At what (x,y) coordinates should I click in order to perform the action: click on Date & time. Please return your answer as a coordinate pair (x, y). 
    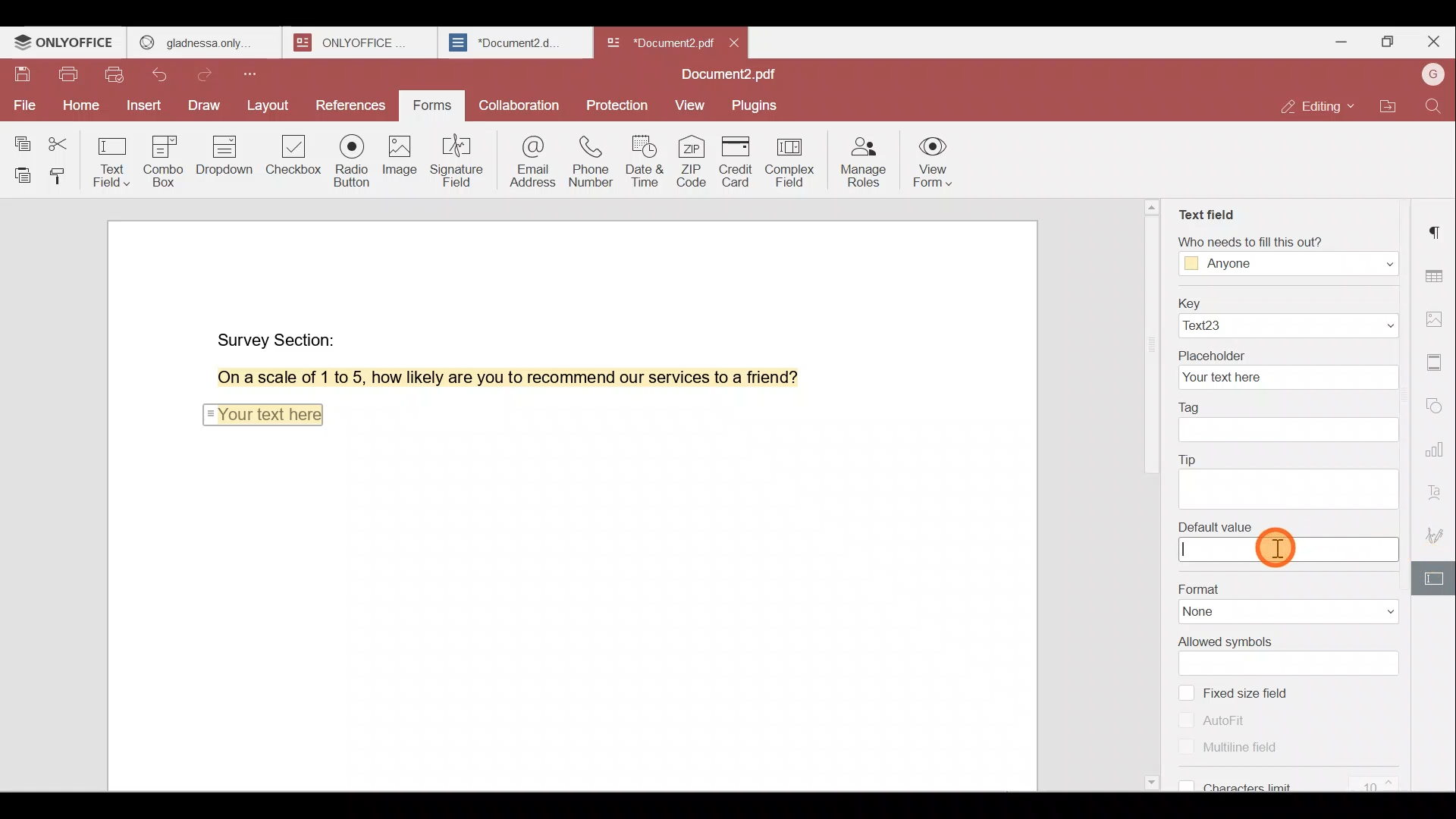
    Looking at the image, I should click on (642, 157).